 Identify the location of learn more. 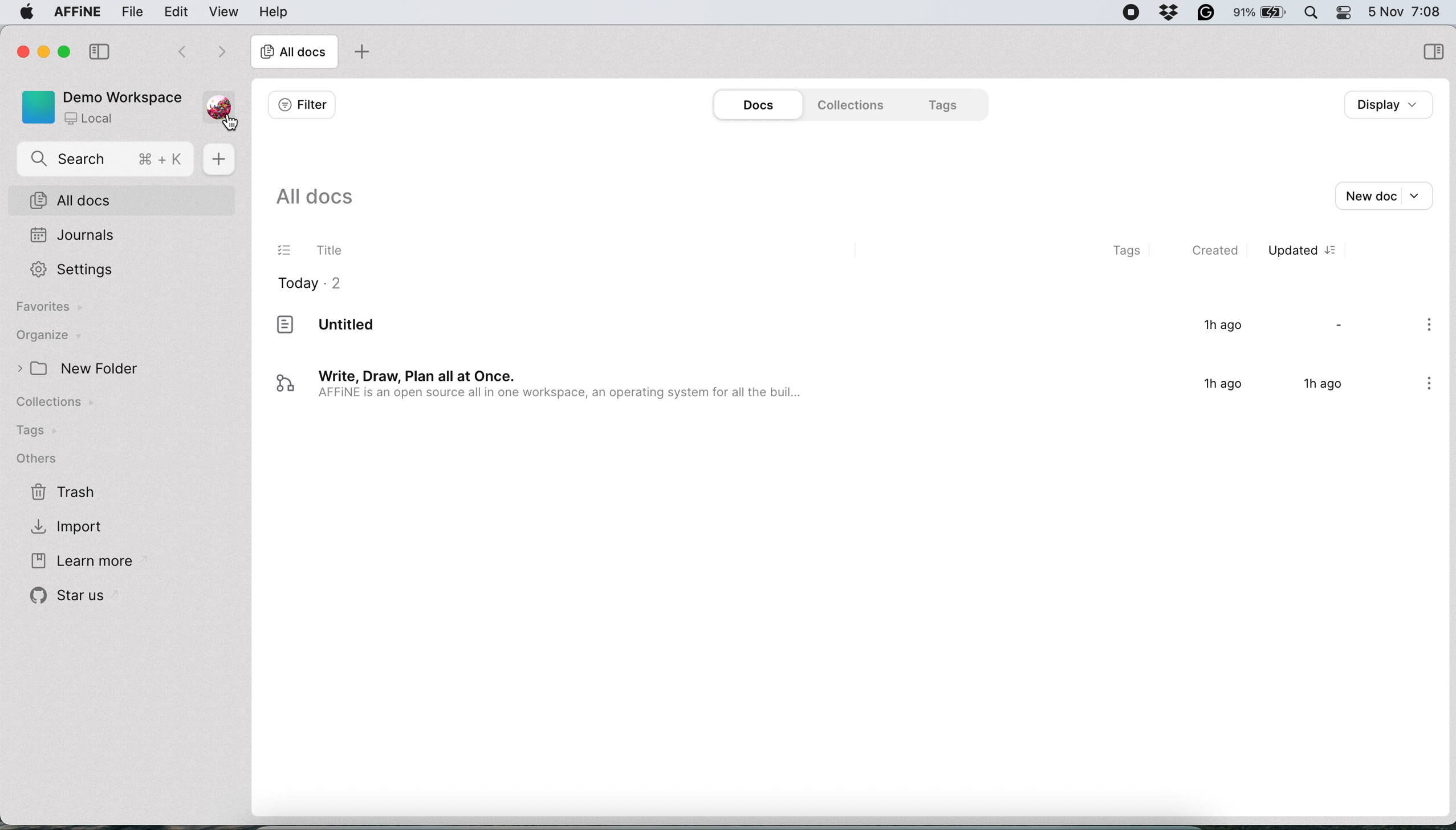
(79, 559).